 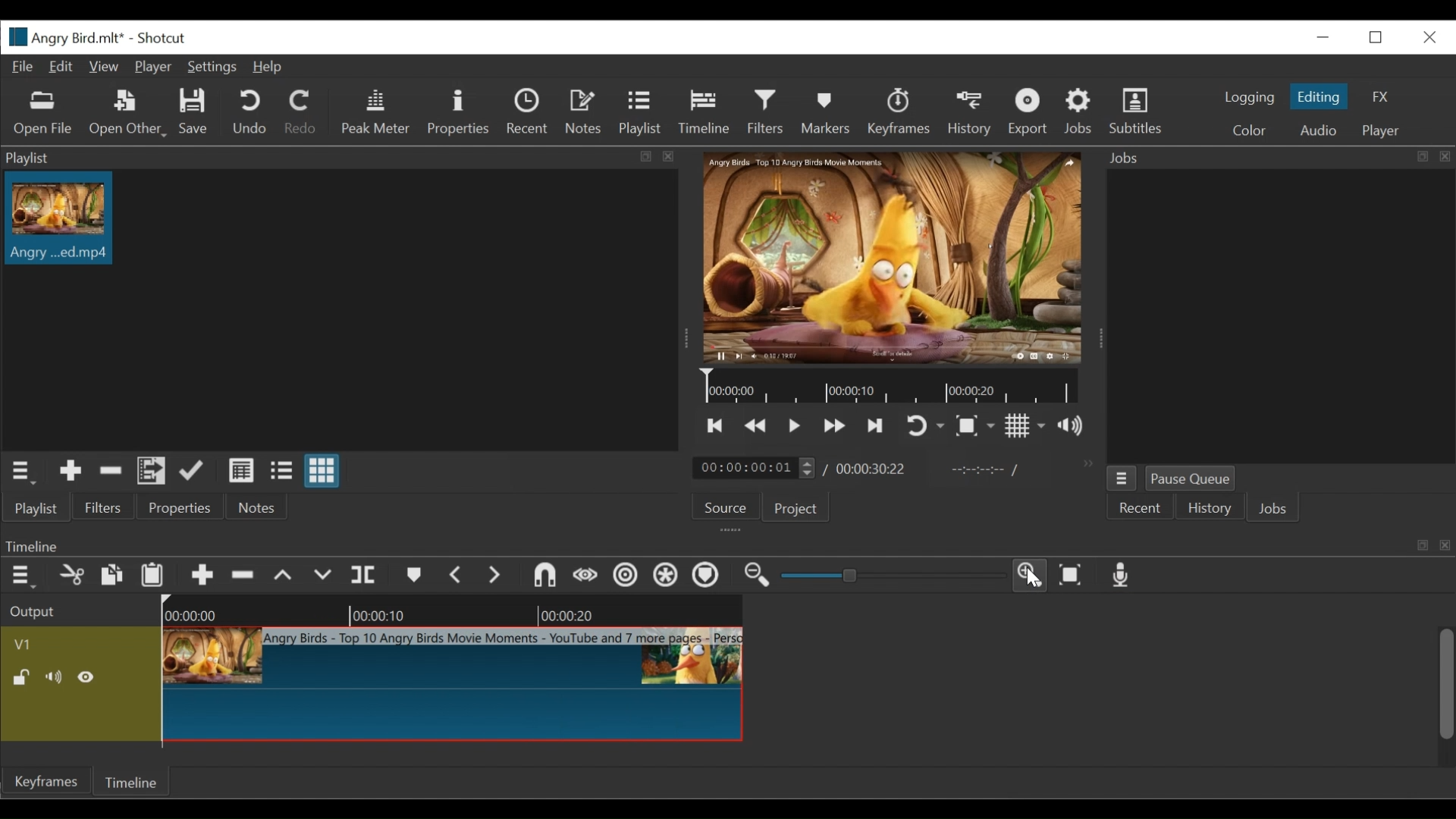 I want to click on Markers, so click(x=825, y=113).